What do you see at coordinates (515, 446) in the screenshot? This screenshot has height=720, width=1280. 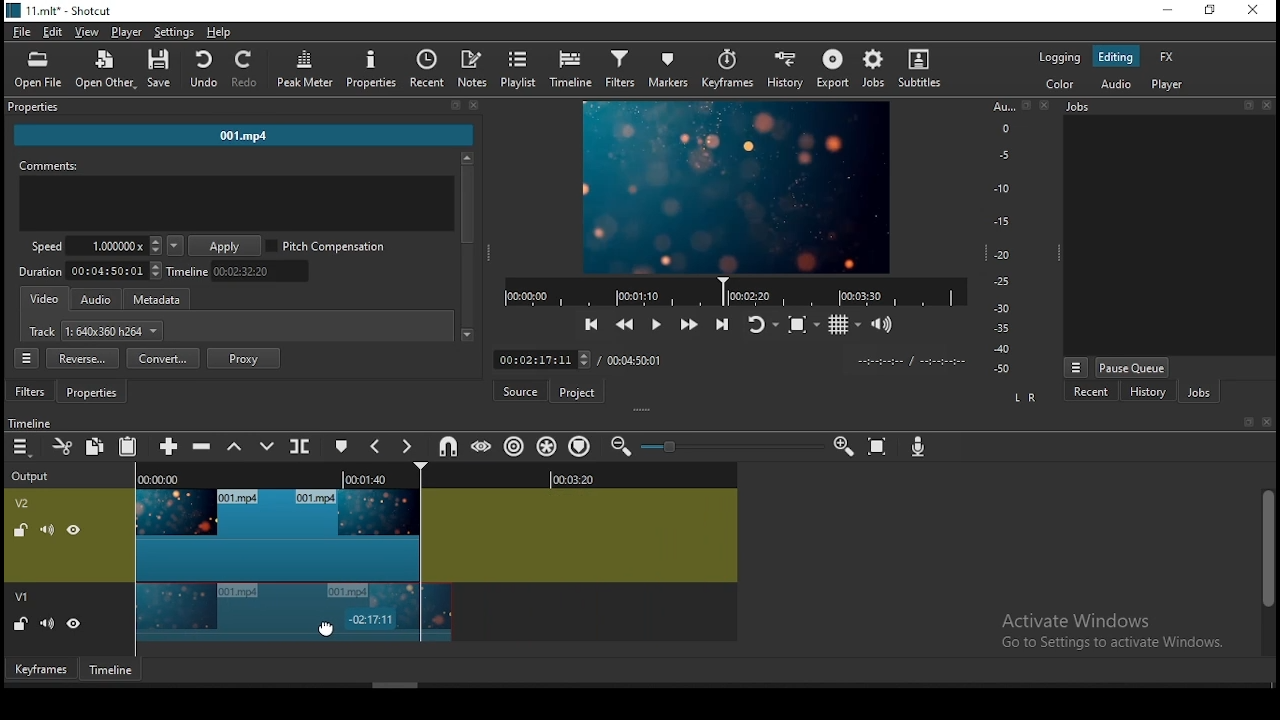 I see `ripple` at bounding box center [515, 446].